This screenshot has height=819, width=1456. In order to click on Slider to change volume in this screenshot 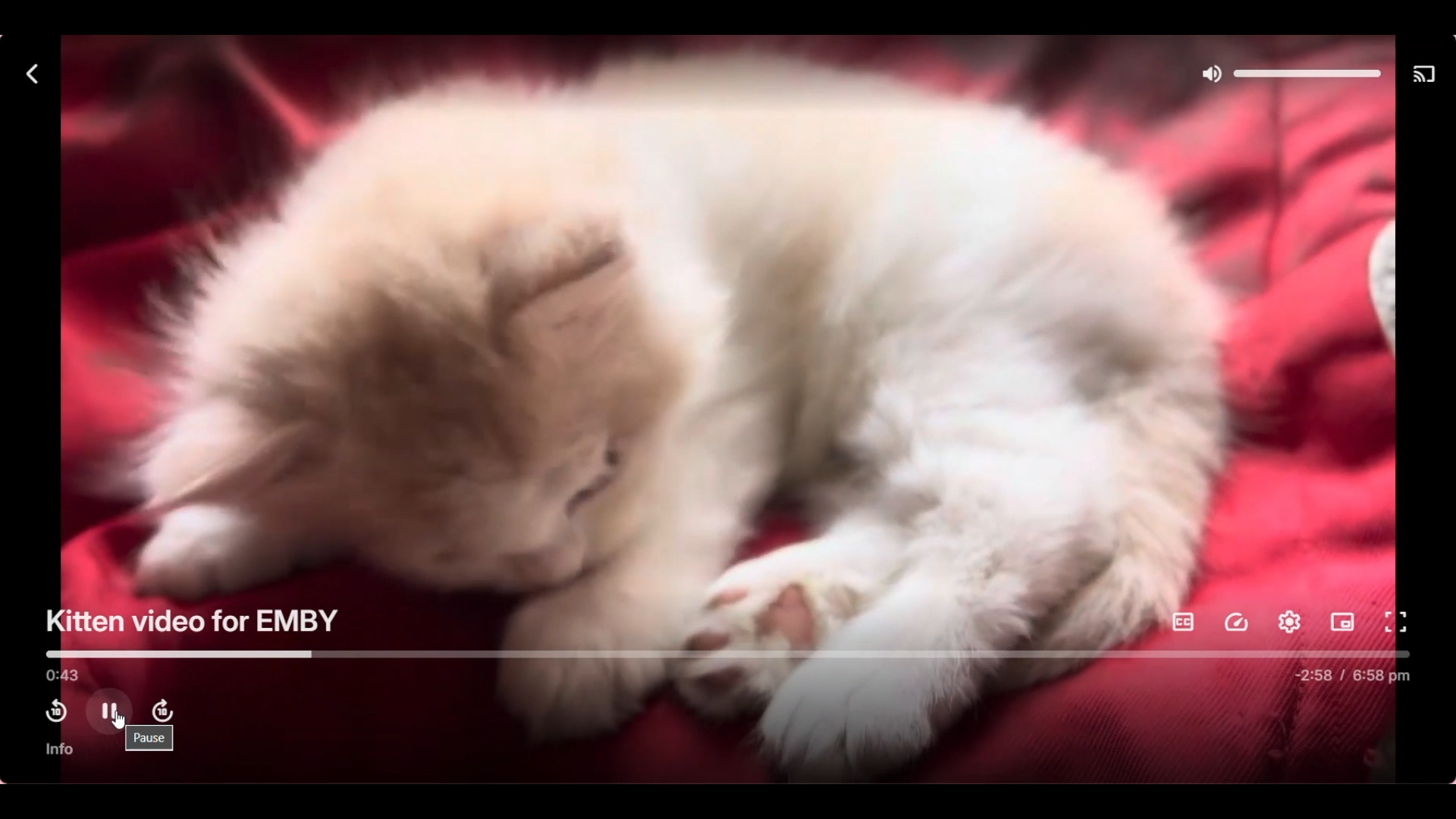, I will do `click(1307, 74)`.